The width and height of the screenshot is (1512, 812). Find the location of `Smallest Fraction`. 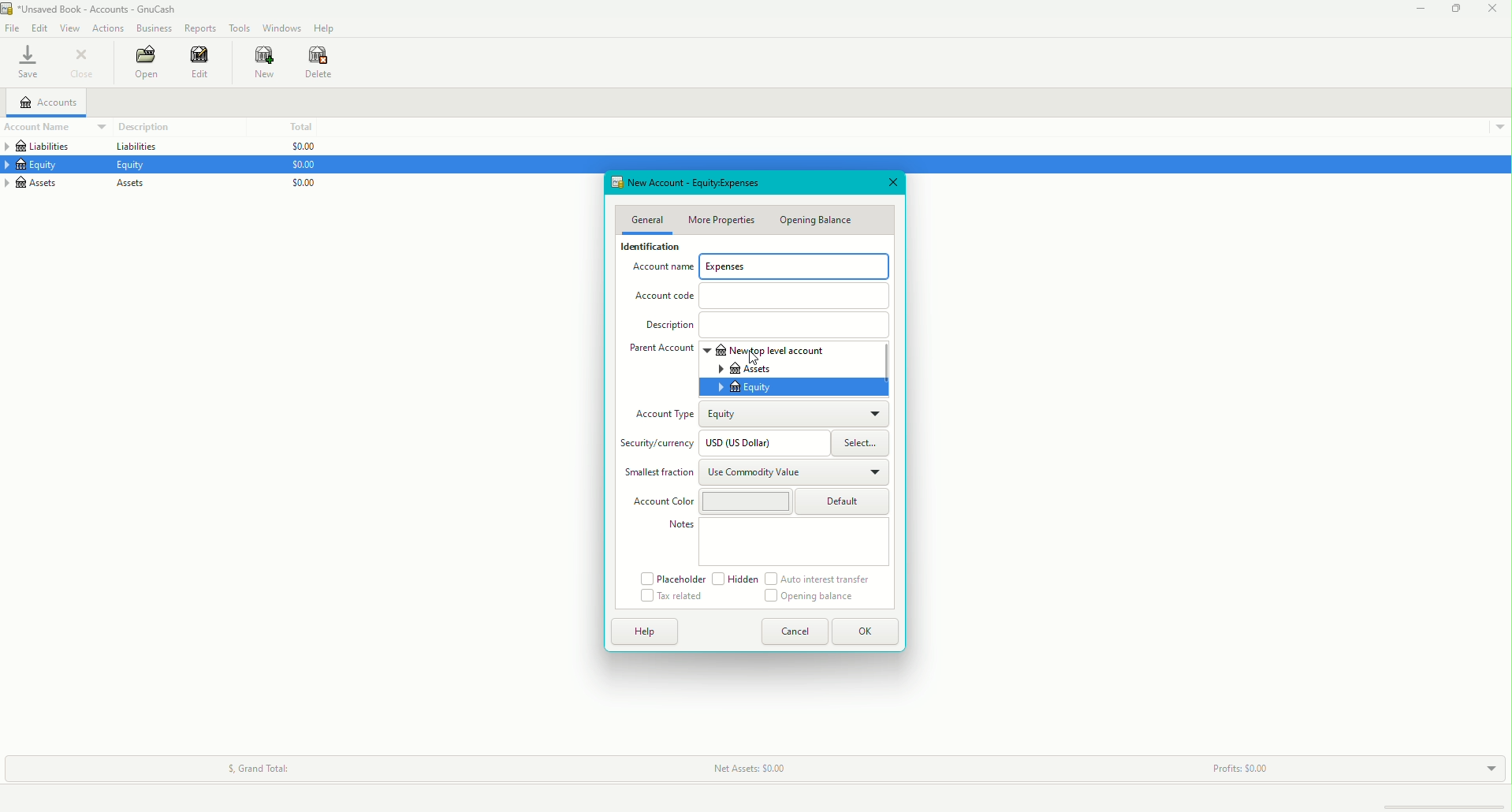

Smallest Fraction is located at coordinates (658, 472).